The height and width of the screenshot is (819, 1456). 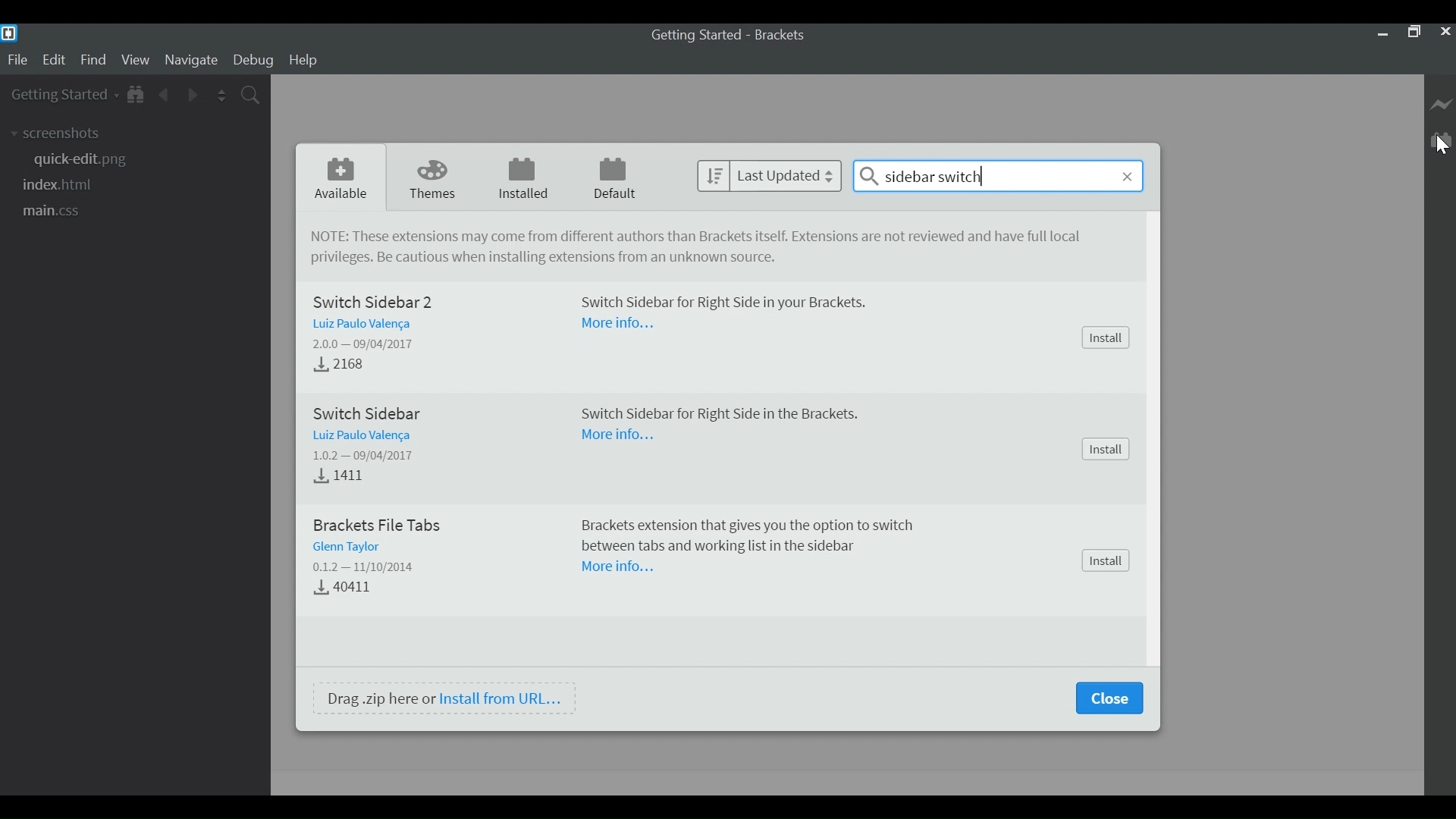 I want to click on Brackets File Tabs, so click(x=375, y=526).